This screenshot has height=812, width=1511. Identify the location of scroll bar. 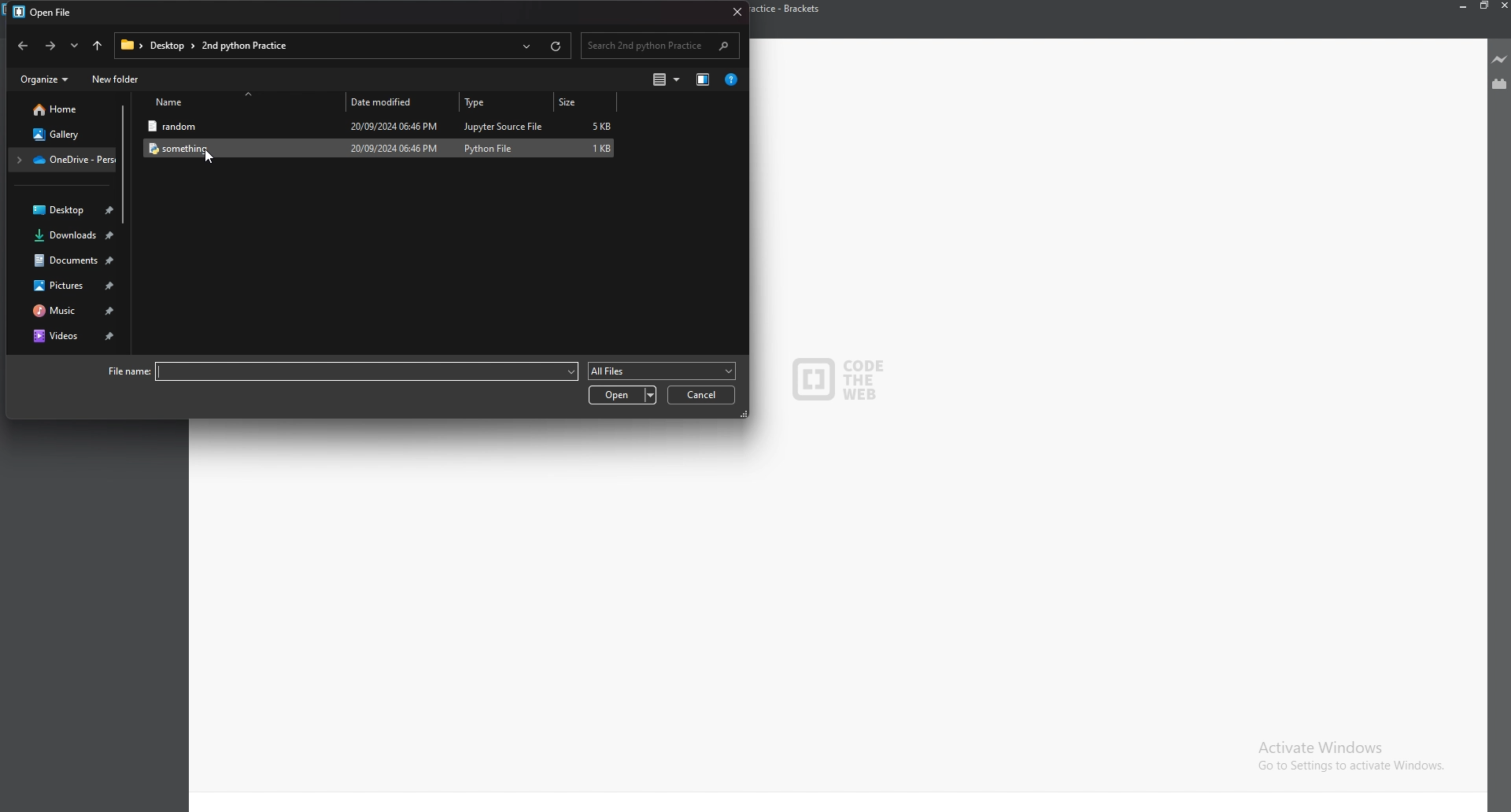
(124, 165).